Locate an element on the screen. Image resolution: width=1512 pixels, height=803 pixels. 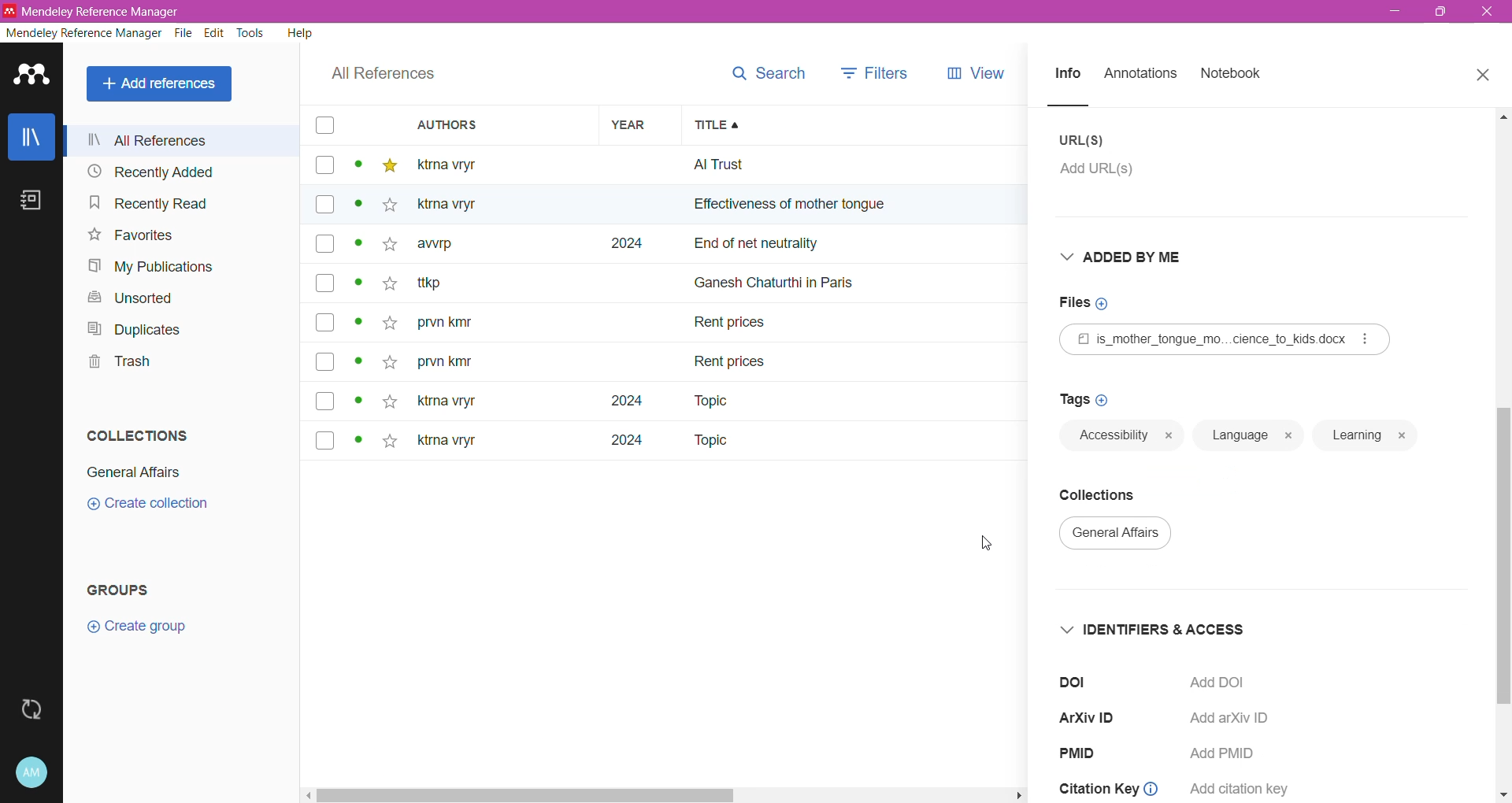
box is located at coordinates (324, 166).